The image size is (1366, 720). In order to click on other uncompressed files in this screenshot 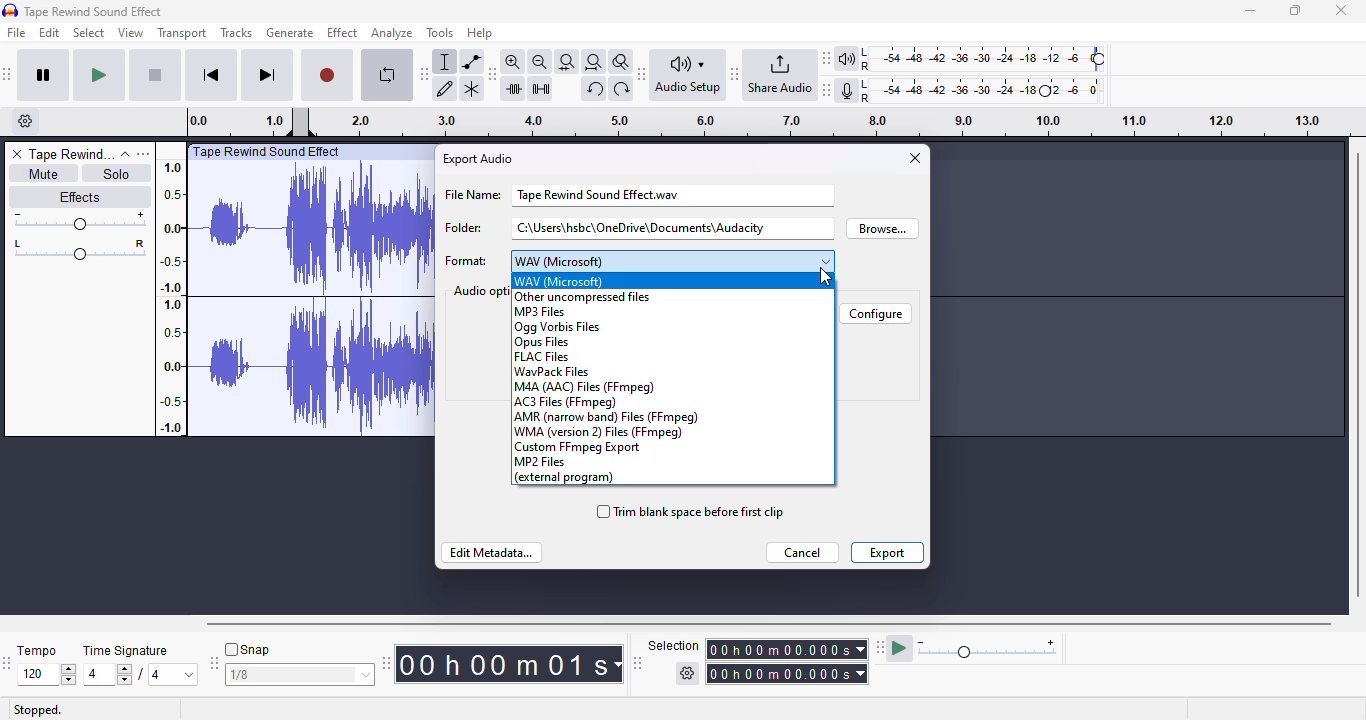, I will do `click(584, 297)`.